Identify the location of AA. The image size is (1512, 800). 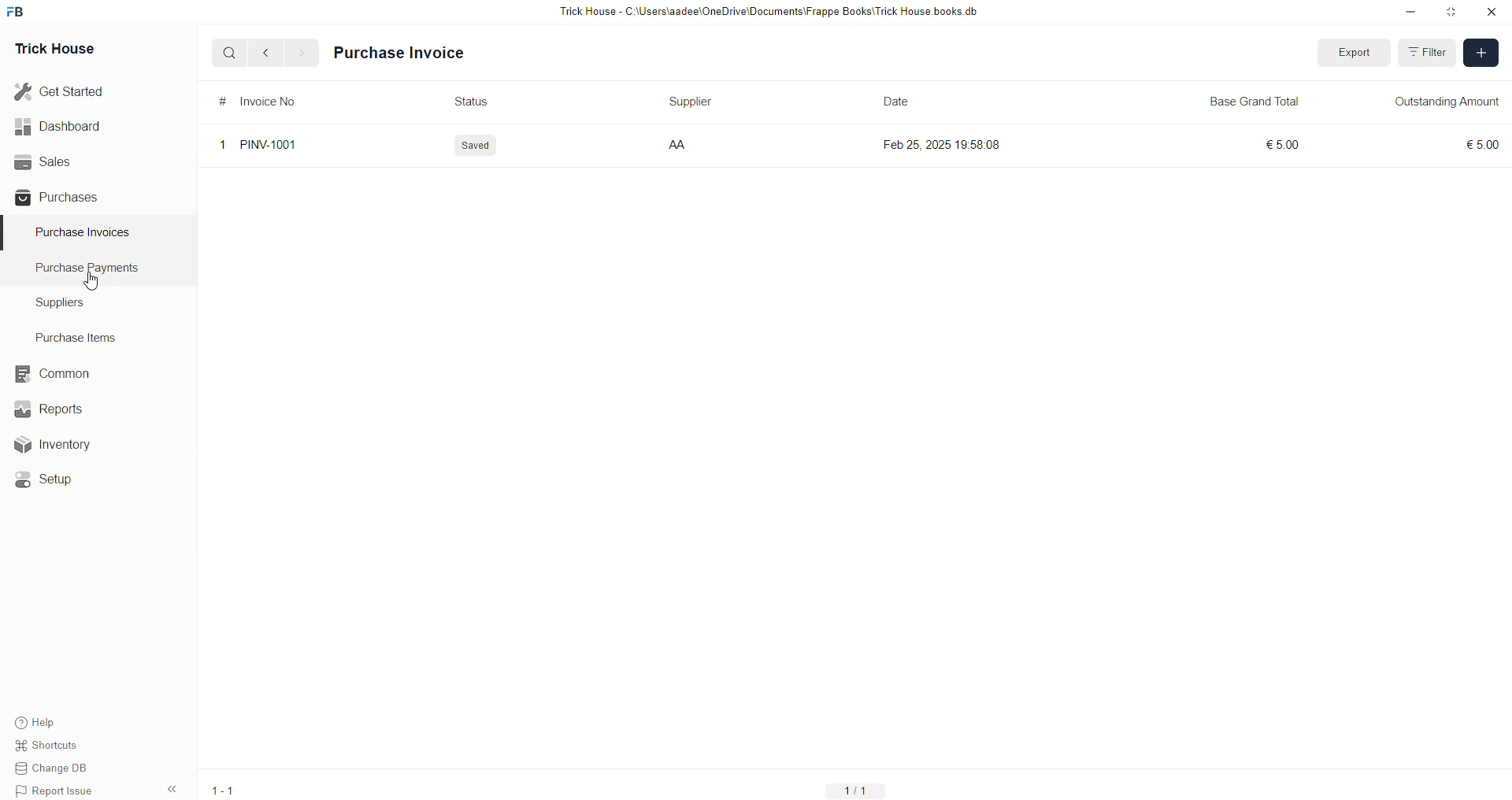
(677, 144).